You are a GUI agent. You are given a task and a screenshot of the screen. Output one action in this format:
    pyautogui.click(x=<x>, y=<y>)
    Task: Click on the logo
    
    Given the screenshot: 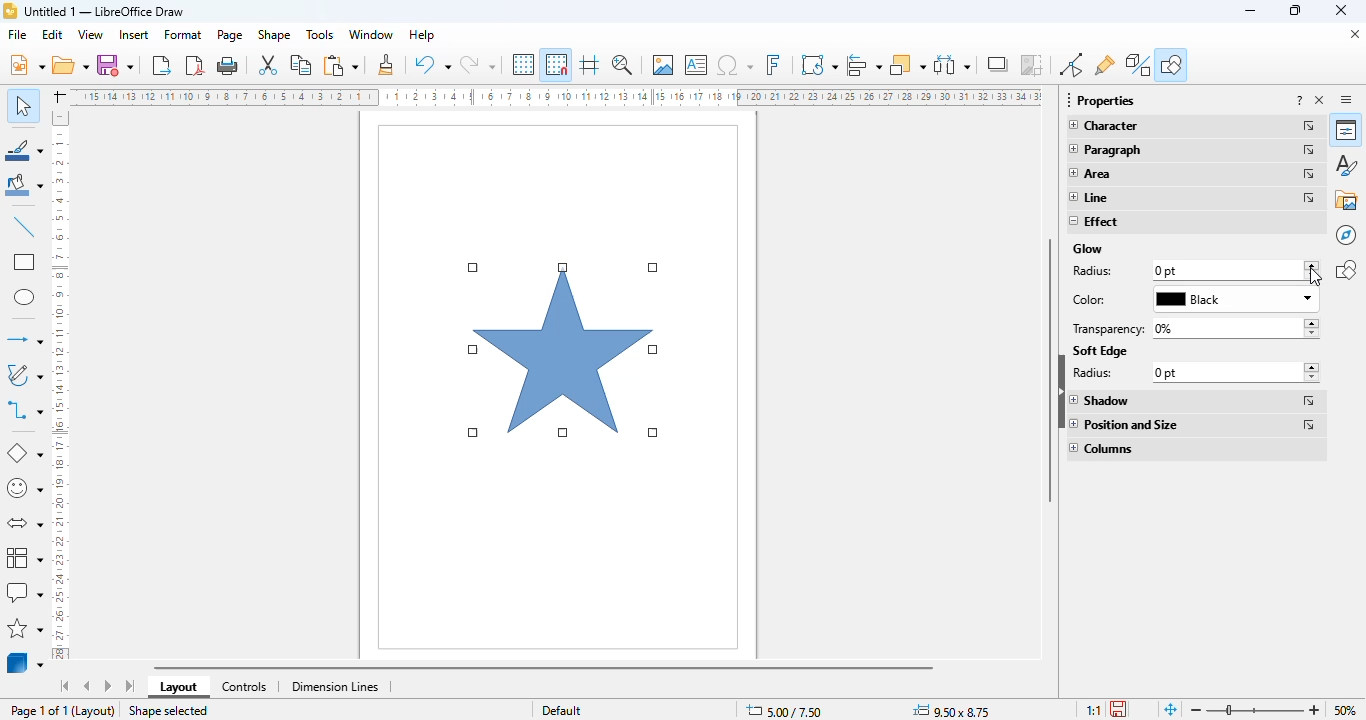 What is the action you would take?
    pyautogui.click(x=10, y=10)
    